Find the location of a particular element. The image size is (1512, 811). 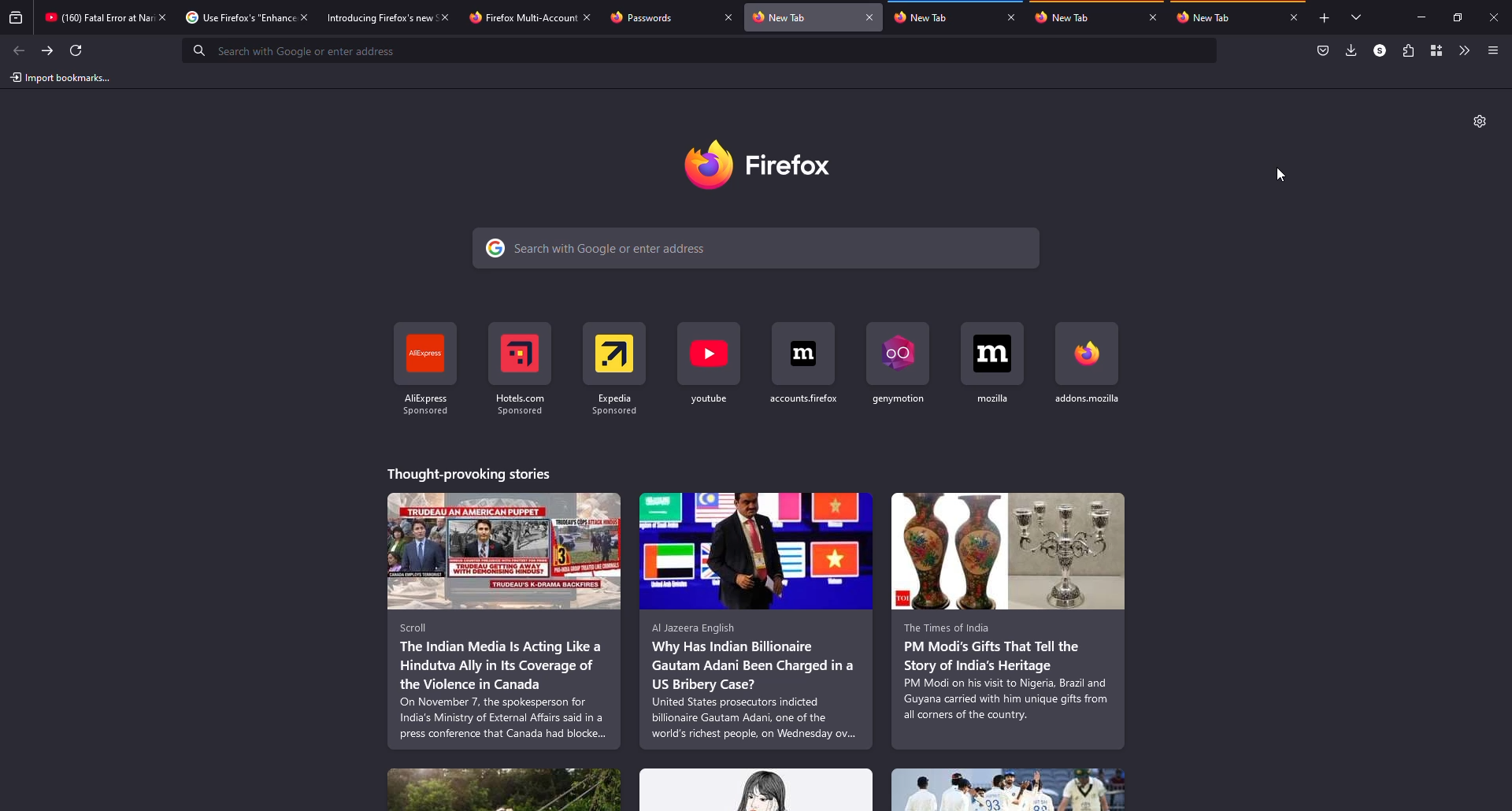

shortcut is located at coordinates (426, 367).